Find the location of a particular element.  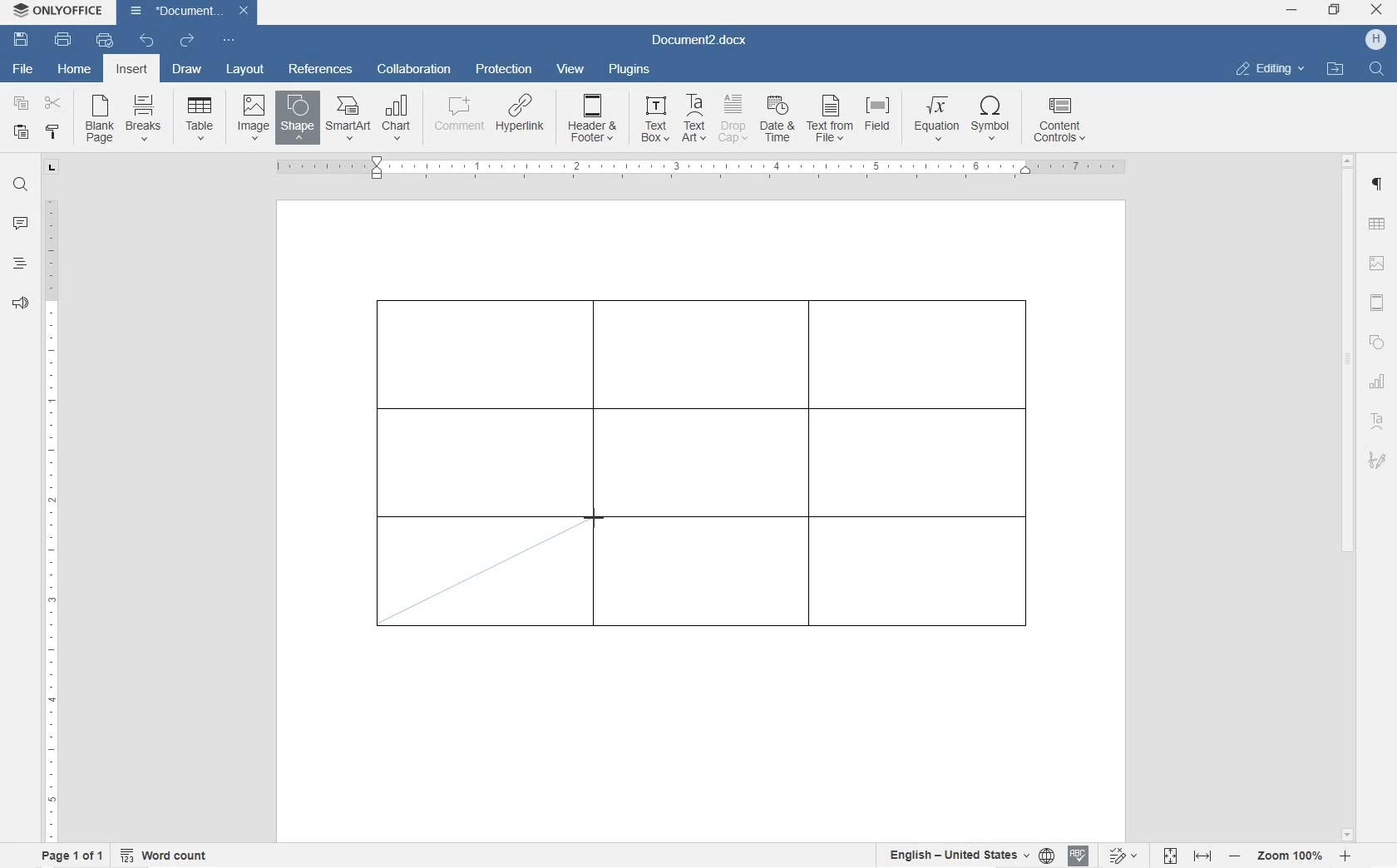

word count is located at coordinates (165, 855).